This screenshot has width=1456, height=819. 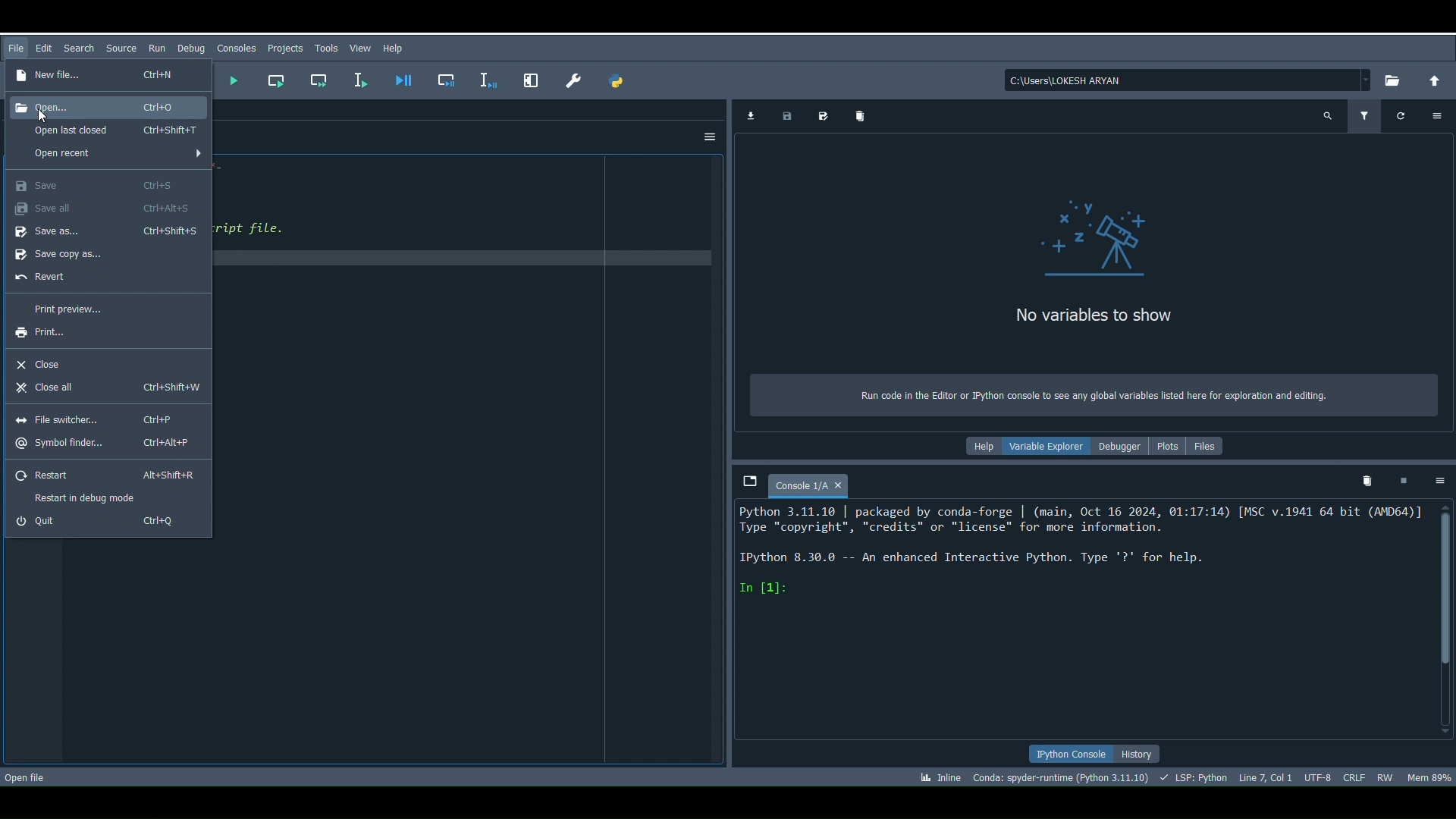 What do you see at coordinates (711, 135) in the screenshot?
I see `Options` at bounding box center [711, 135].